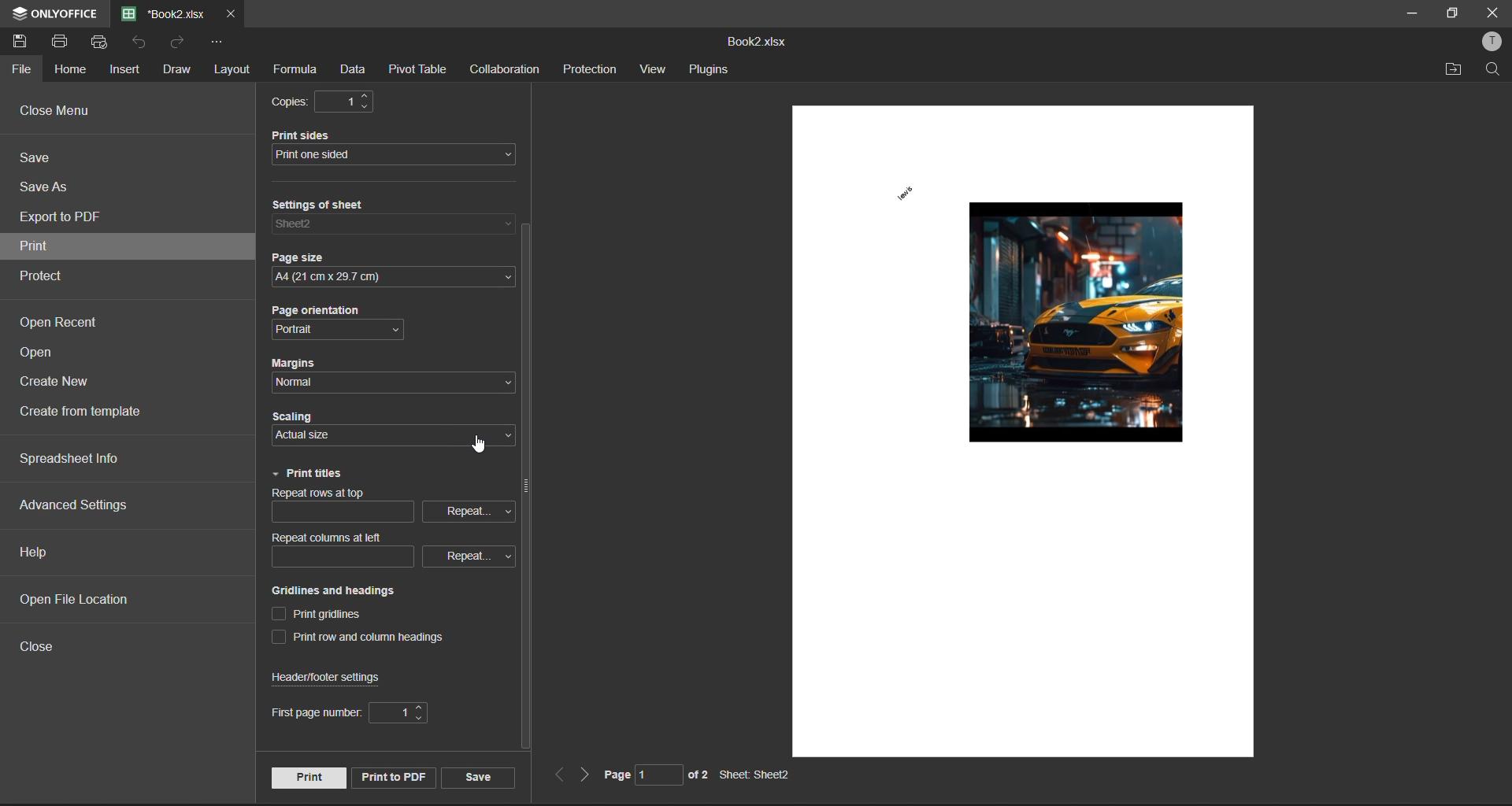 The height and width of the screenshot is (806, 1512). I want to click on margins, so click(300, 364).